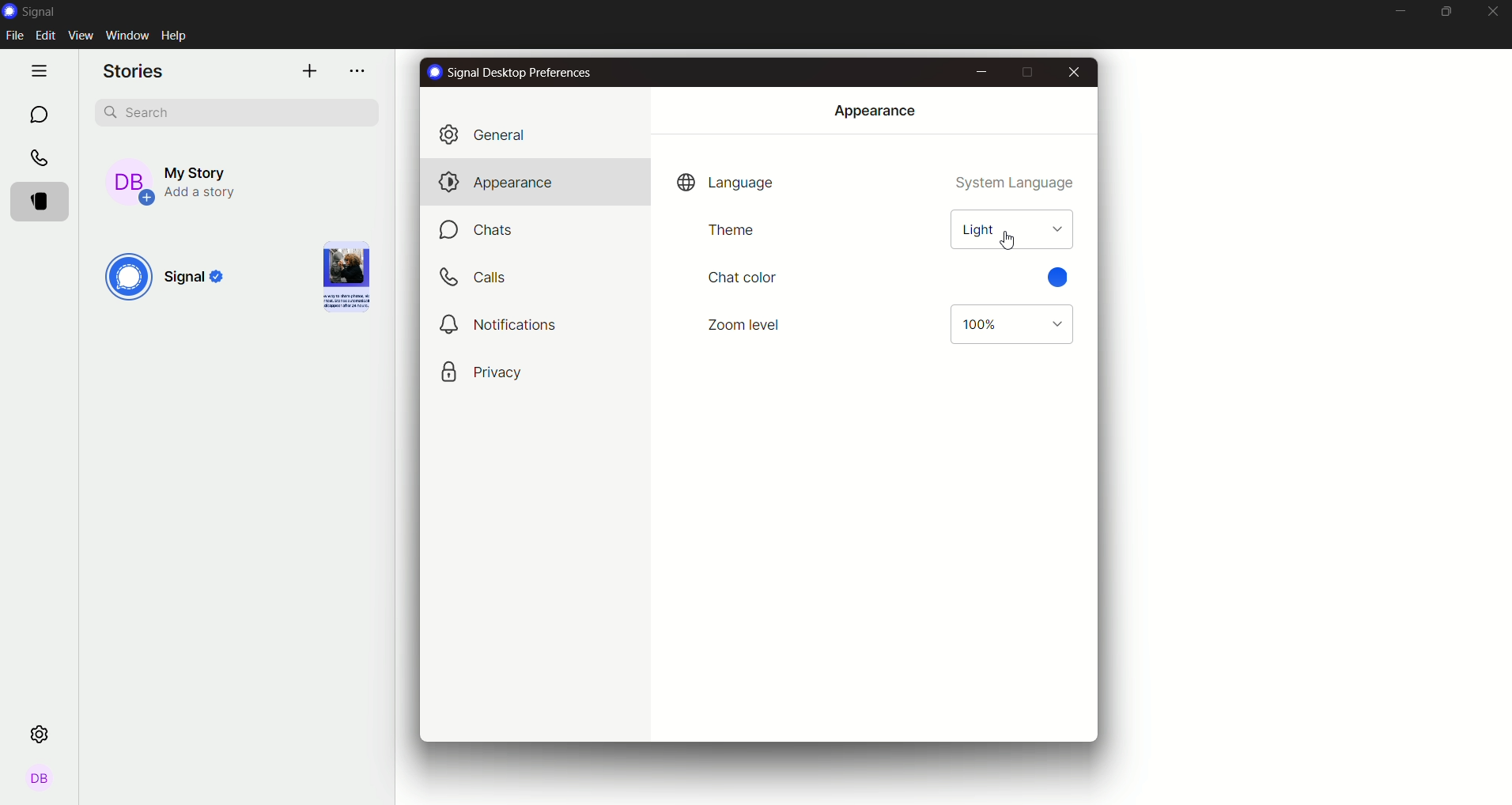 Image resolution: width=1512 pixels, height=805 pixels. What do you see at coordinates (747, 323) in the screenshot?
I see `zoom level` at bounding box center [747, 323].